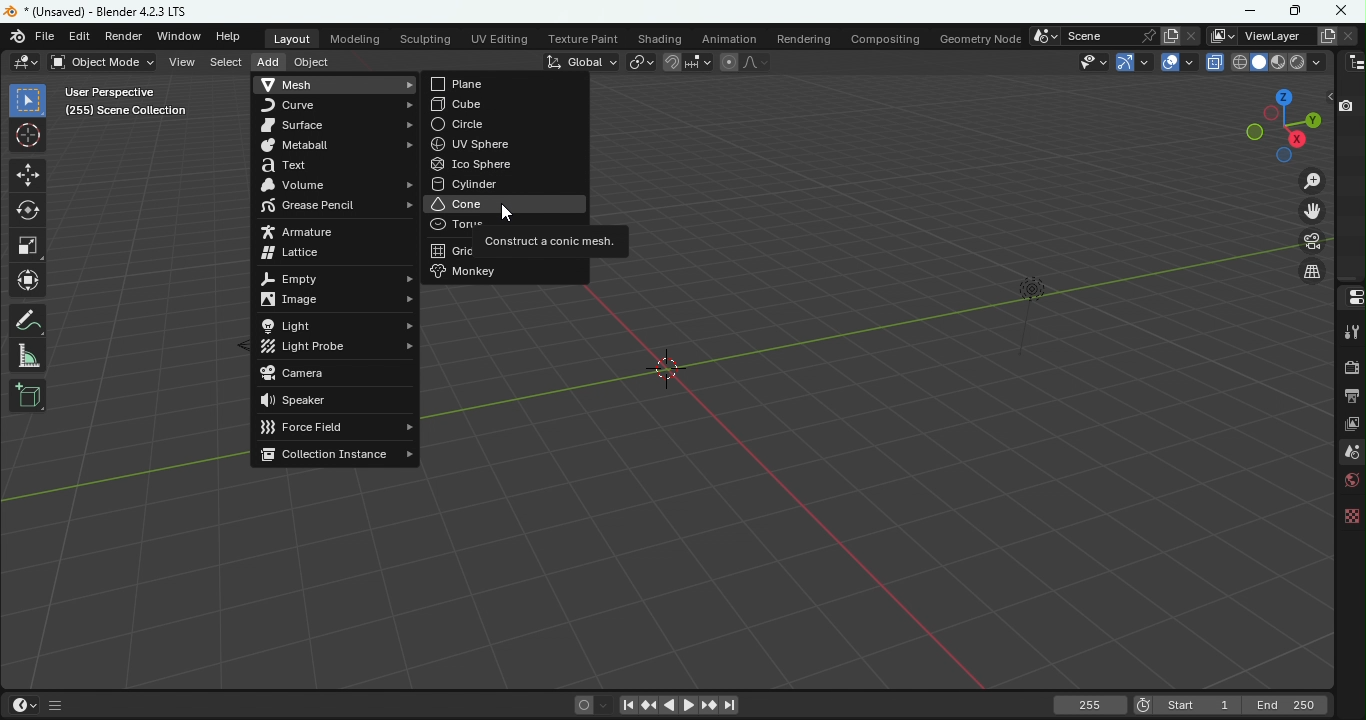 This screenshot has height=720, width=1366. Describe the element at coordinates (1220, 35) in the screenshot. I see `The active workspace view layer showing in the window` at that location.